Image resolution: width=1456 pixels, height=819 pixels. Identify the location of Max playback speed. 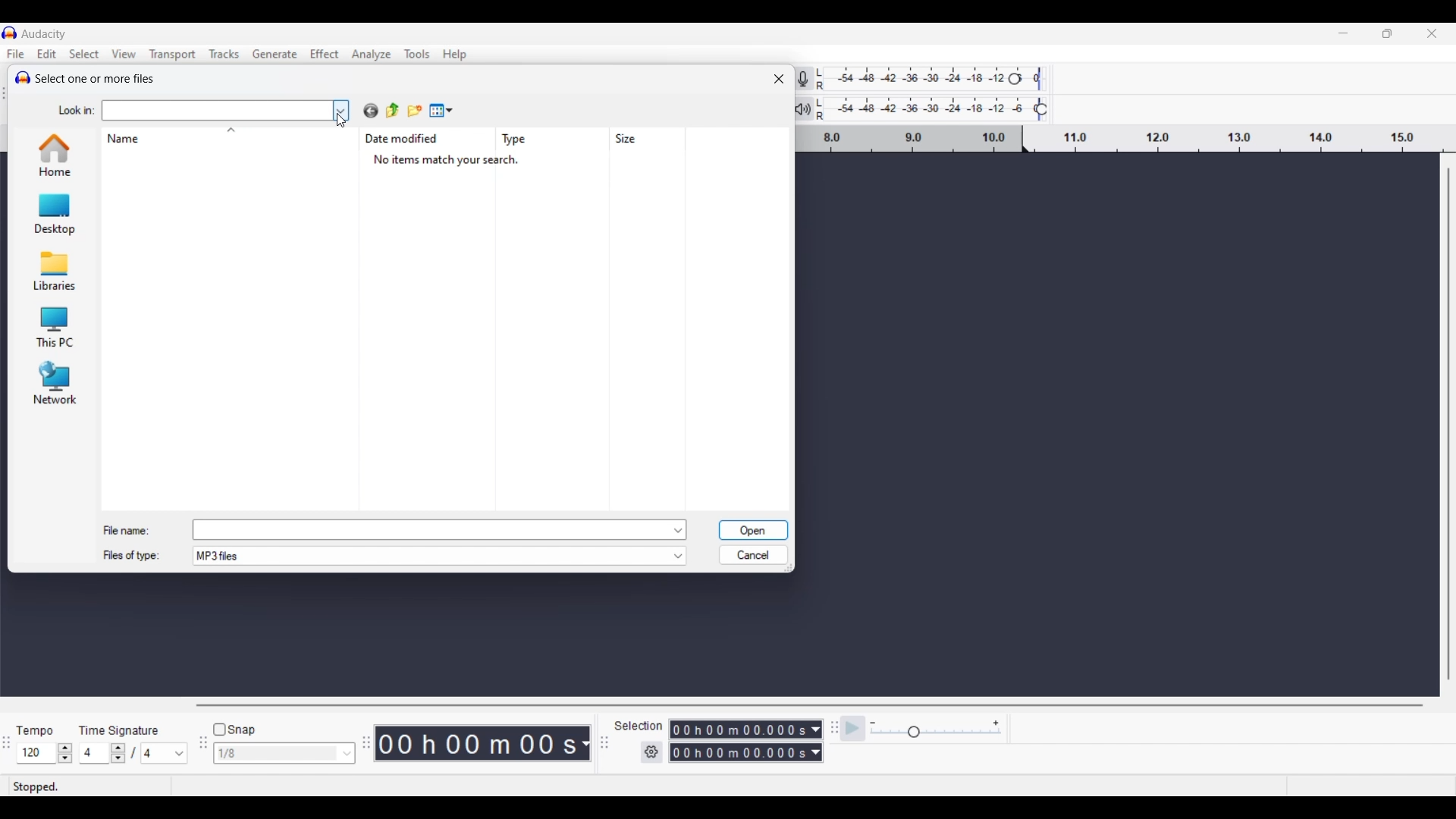
(996, 723).